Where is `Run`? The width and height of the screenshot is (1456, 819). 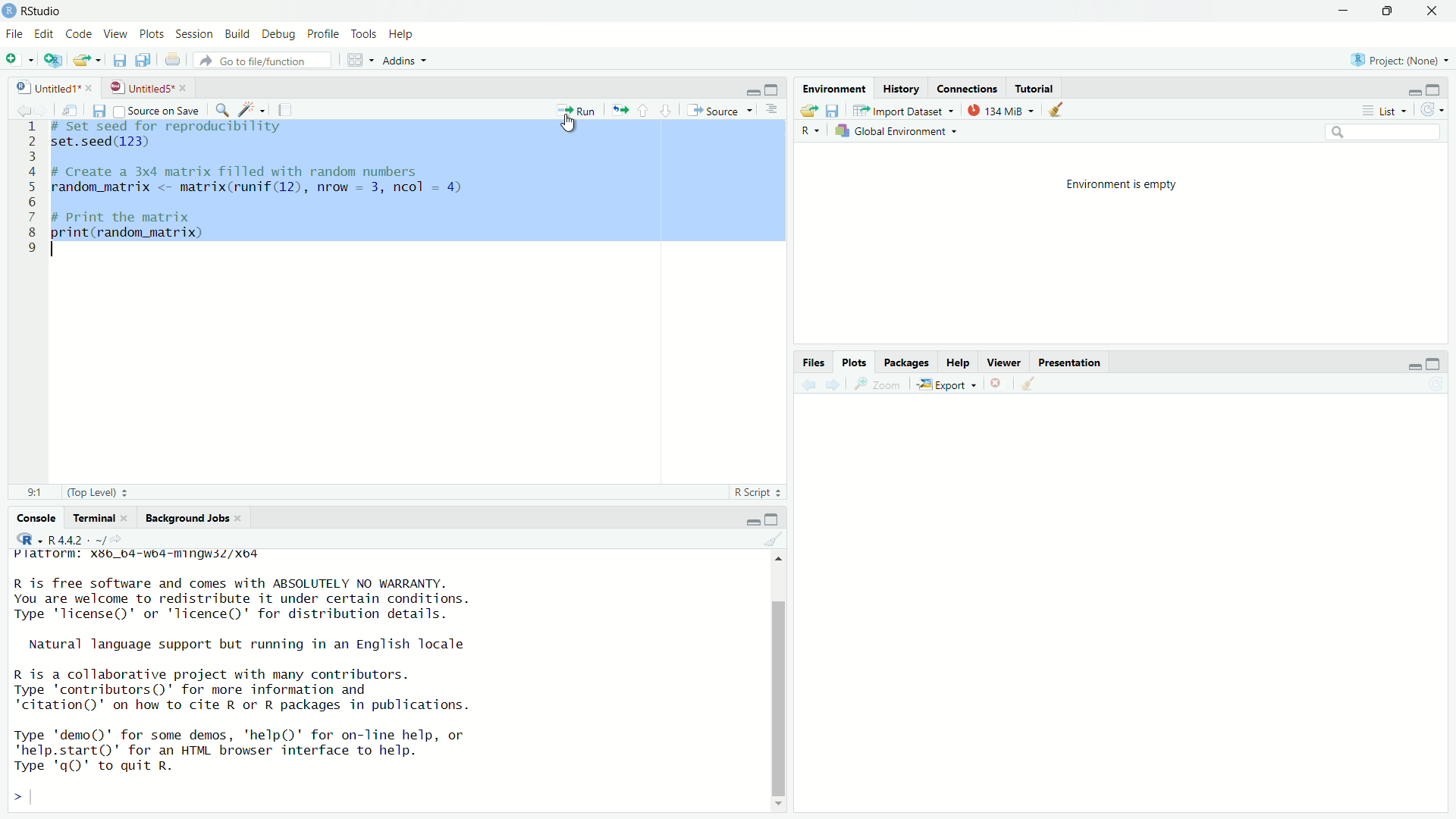 Run is located at coordinates (576, 111).